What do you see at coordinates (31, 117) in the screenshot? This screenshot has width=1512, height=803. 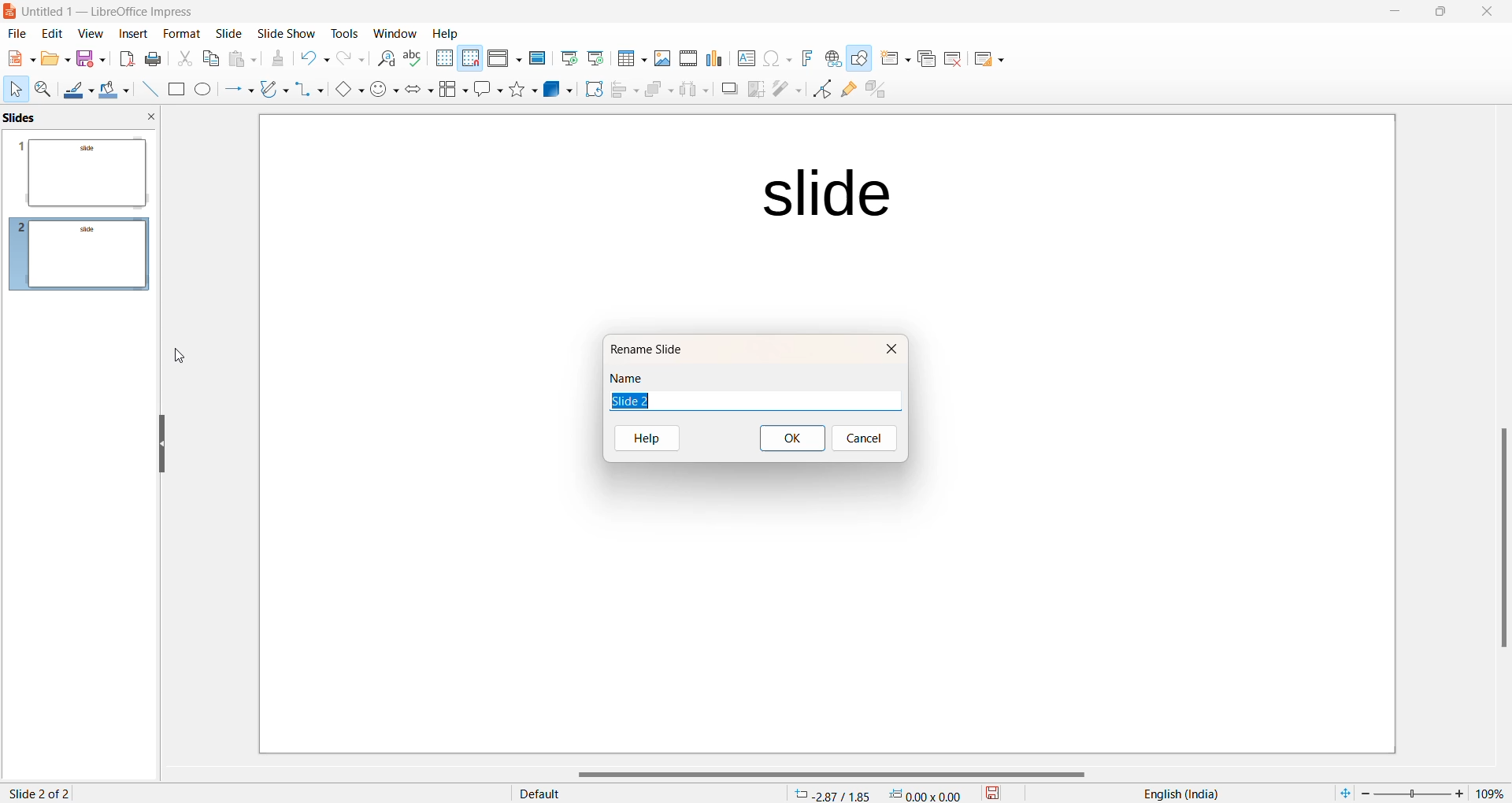 I see `slide preview pane` at bounding box center [31, 117].